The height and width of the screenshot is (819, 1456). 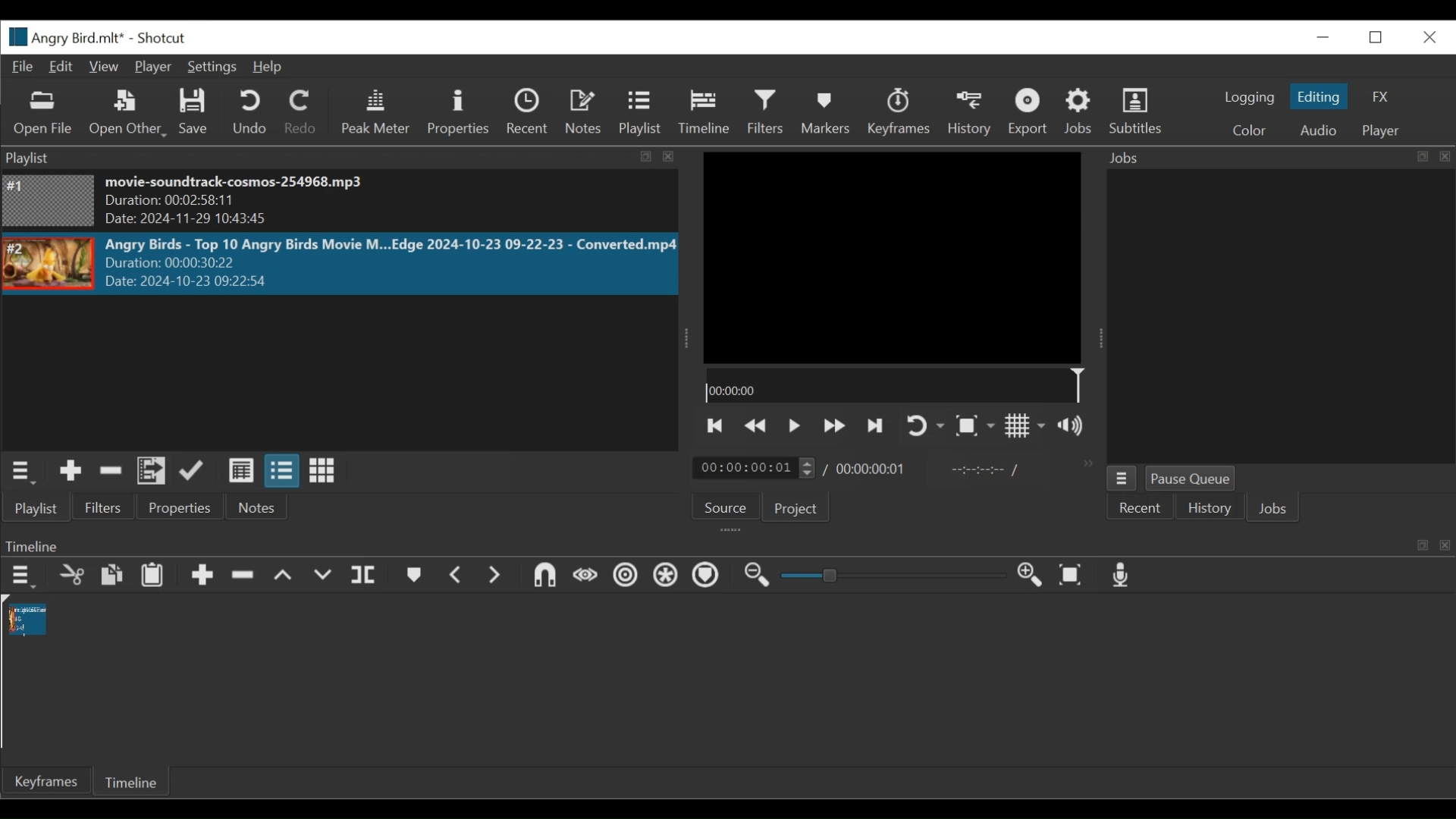 What do you see at coordinates (667, 578) in the screenshot?
I see `Ripple all tracks` at bounding box center [667, 578].